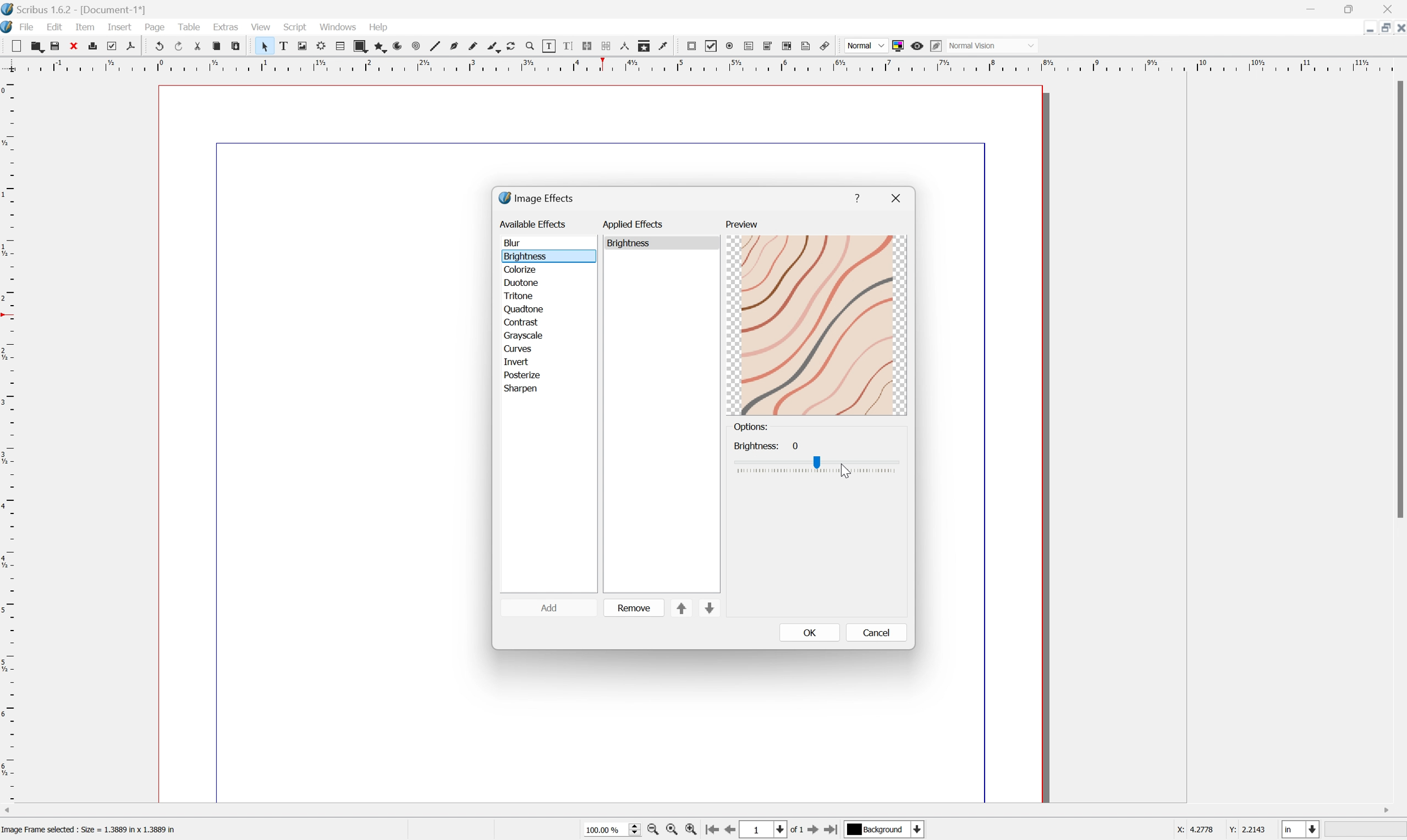 The height and width of the screenshot is (840, 1407). I want to click on Save, so click(56, 45).